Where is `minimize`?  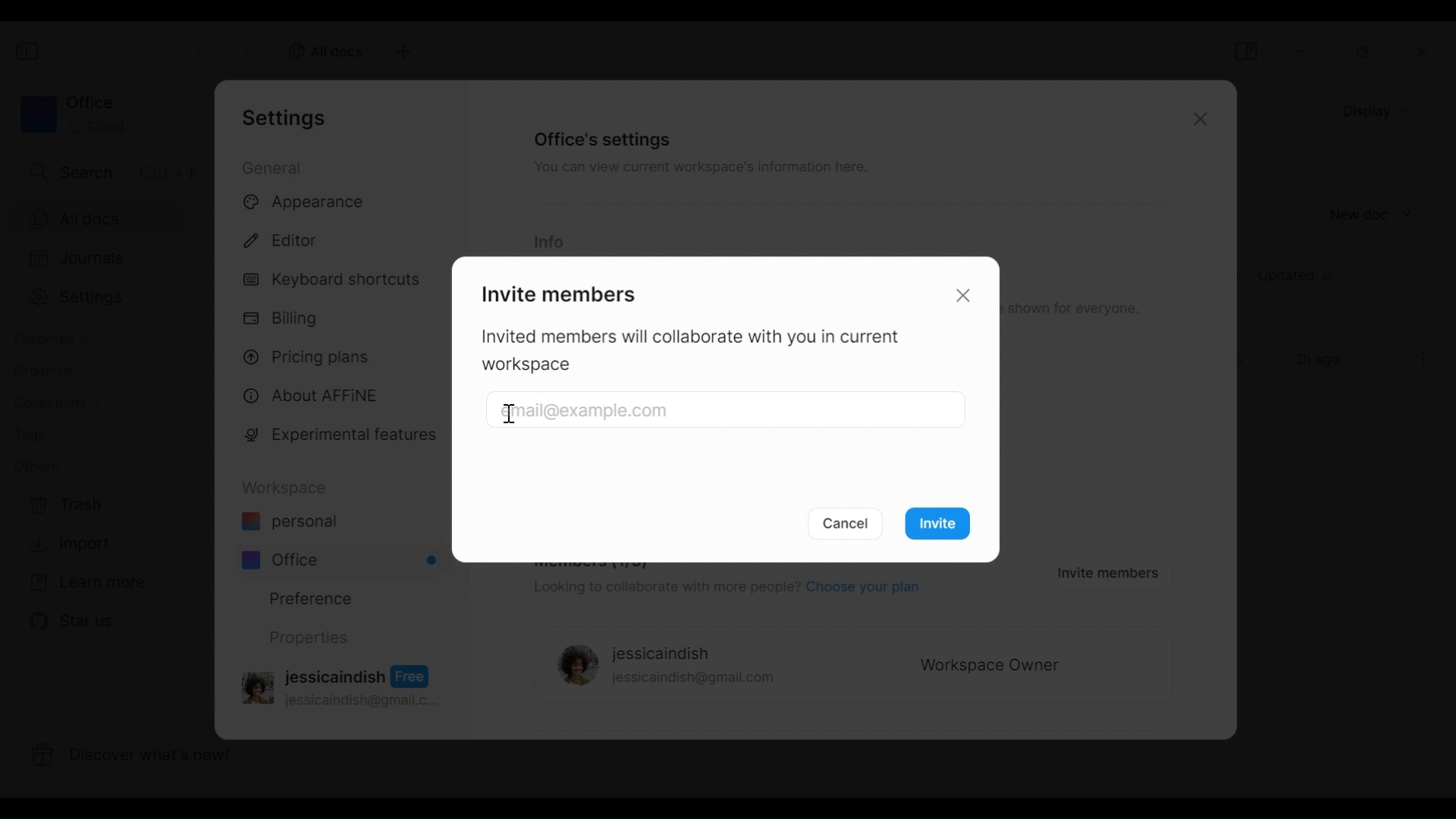 minimize is located at coordinates (1307, 51).